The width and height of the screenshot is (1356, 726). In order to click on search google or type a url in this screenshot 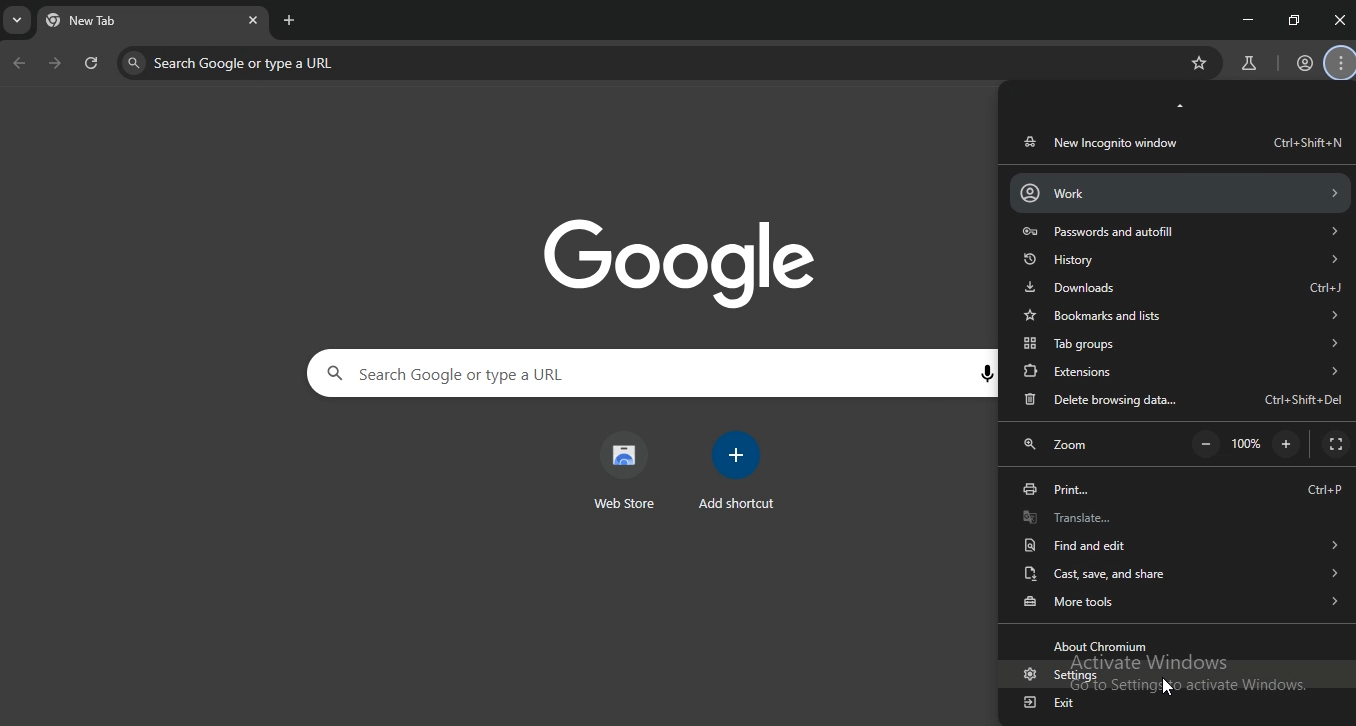, I will do `click(352, 62)`.